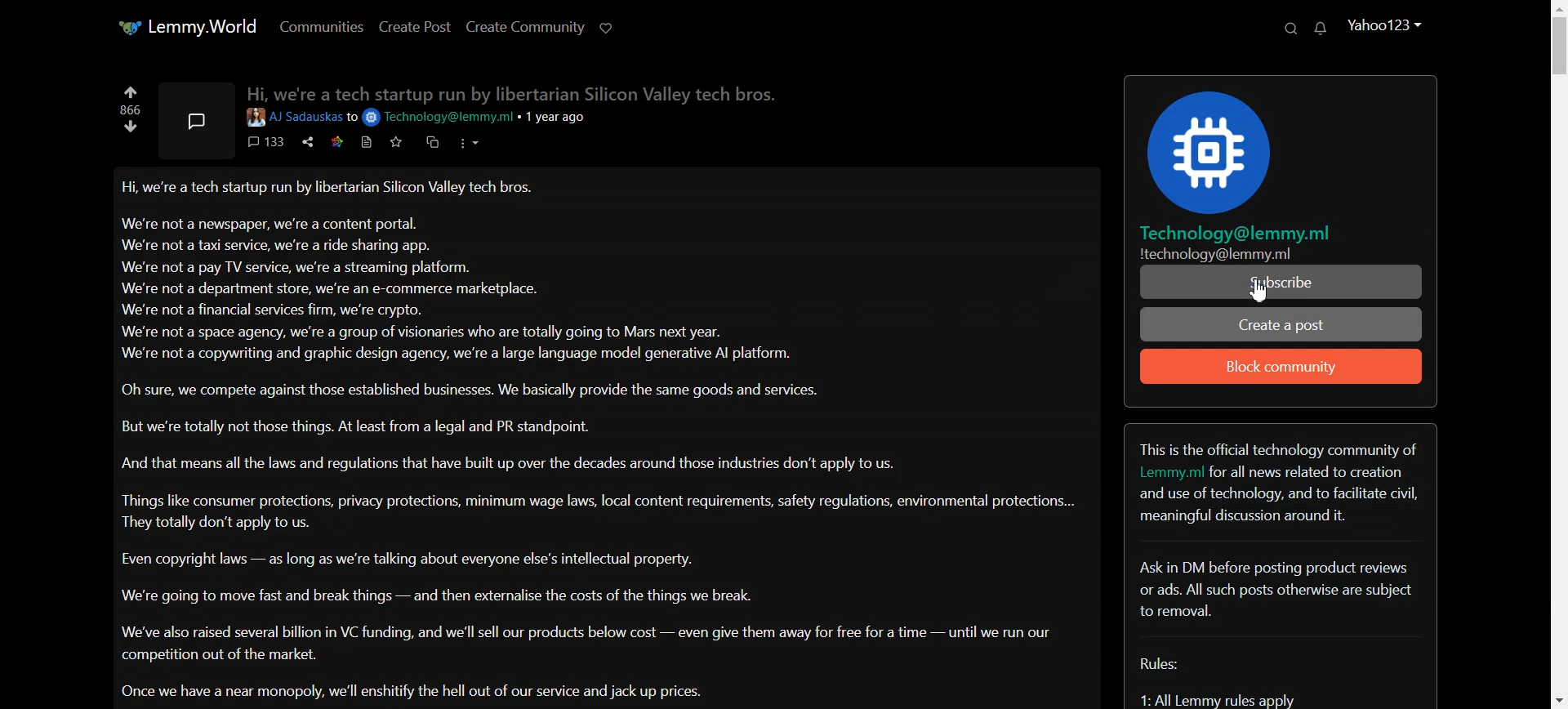 This screenshot has width=1568, height=709. What do you see at coordinates (1281, 367) in the screenshot?
I see `Block Community` at bounding box center [1281, 367].